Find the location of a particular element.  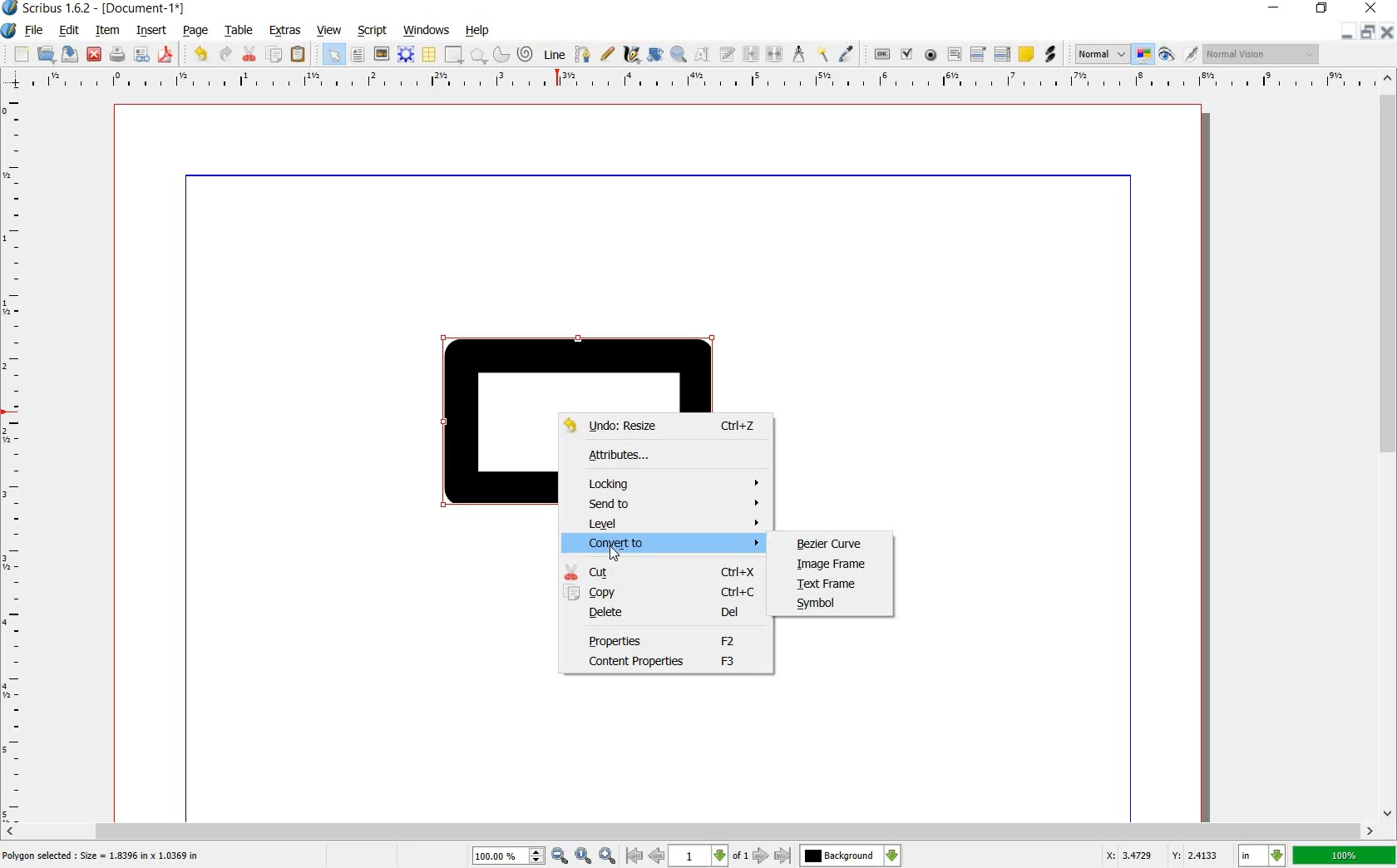

page number drop down box is located at coordinates (708, 854).